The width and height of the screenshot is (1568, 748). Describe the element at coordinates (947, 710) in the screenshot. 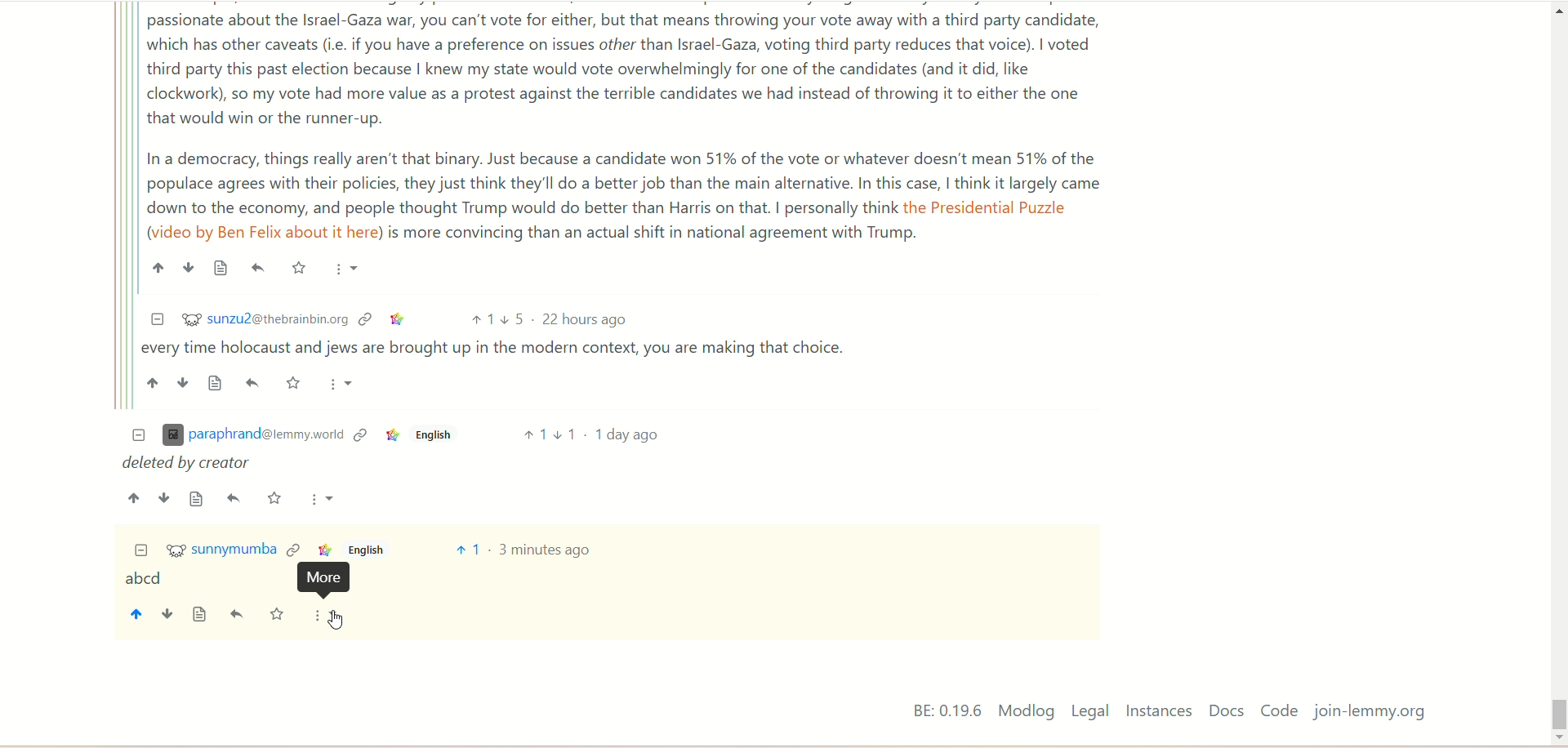

I see `BE: 0.19.6` at that location.